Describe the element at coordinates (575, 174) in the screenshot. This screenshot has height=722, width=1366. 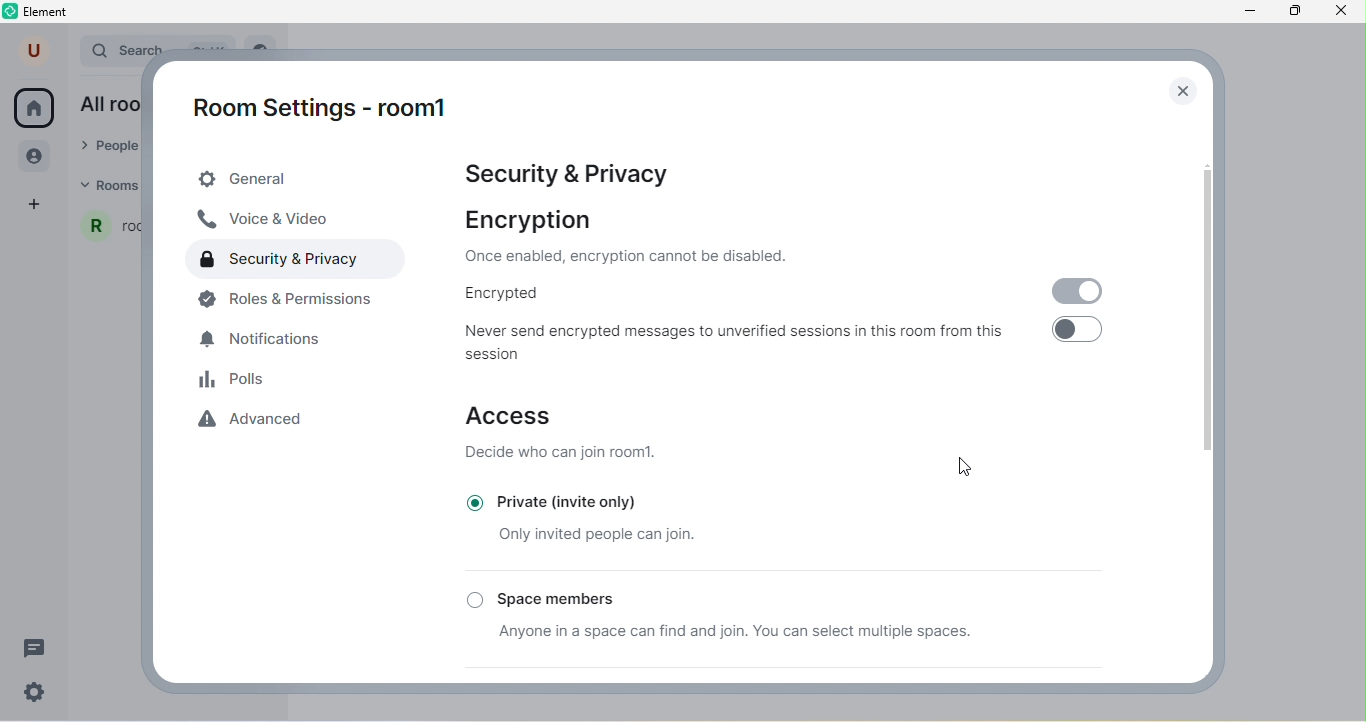
I see `Security & Privacy` at that location.